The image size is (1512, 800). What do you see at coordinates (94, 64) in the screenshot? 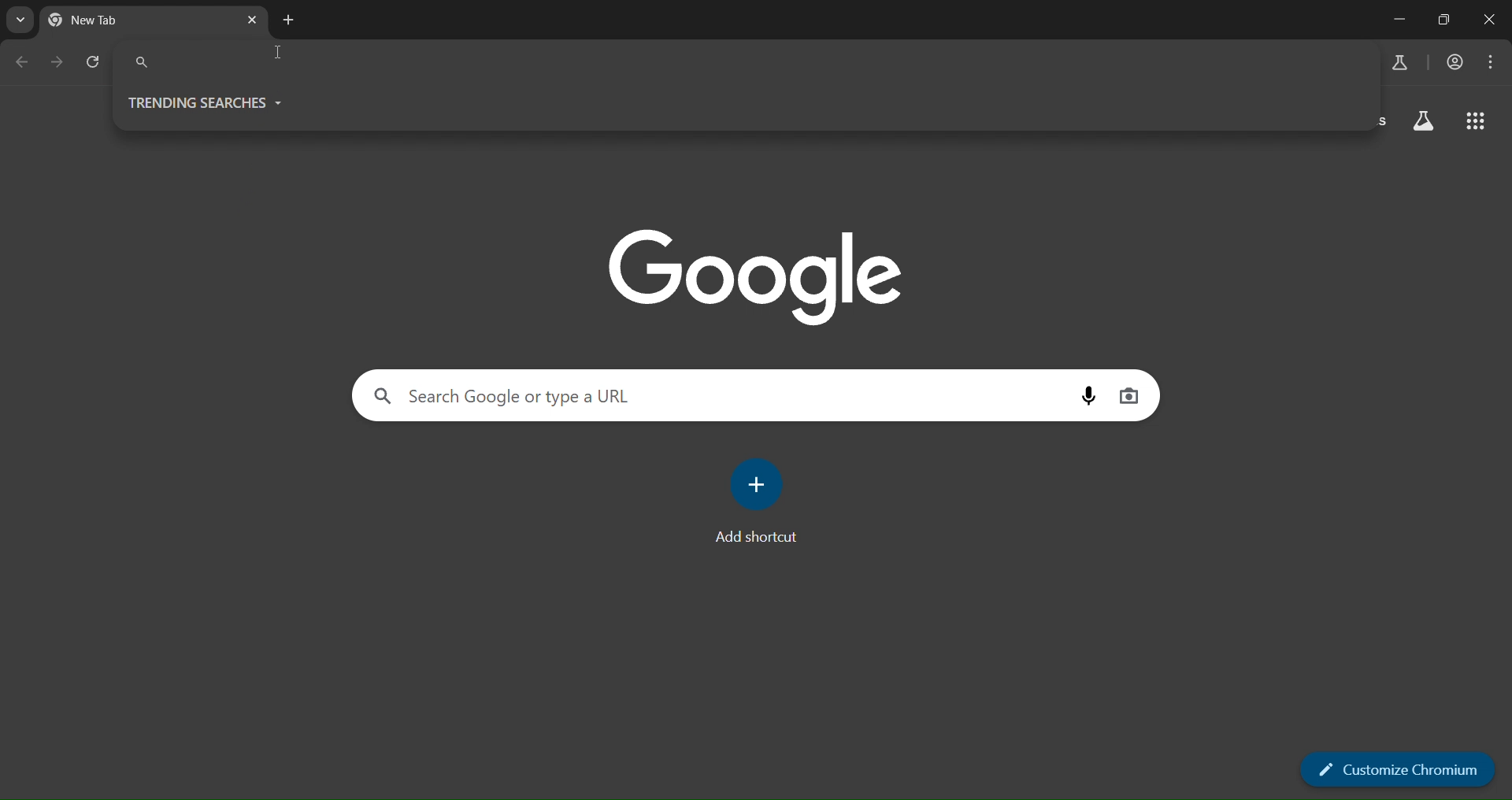
I see `reload page` at bounding box center [94, 64].